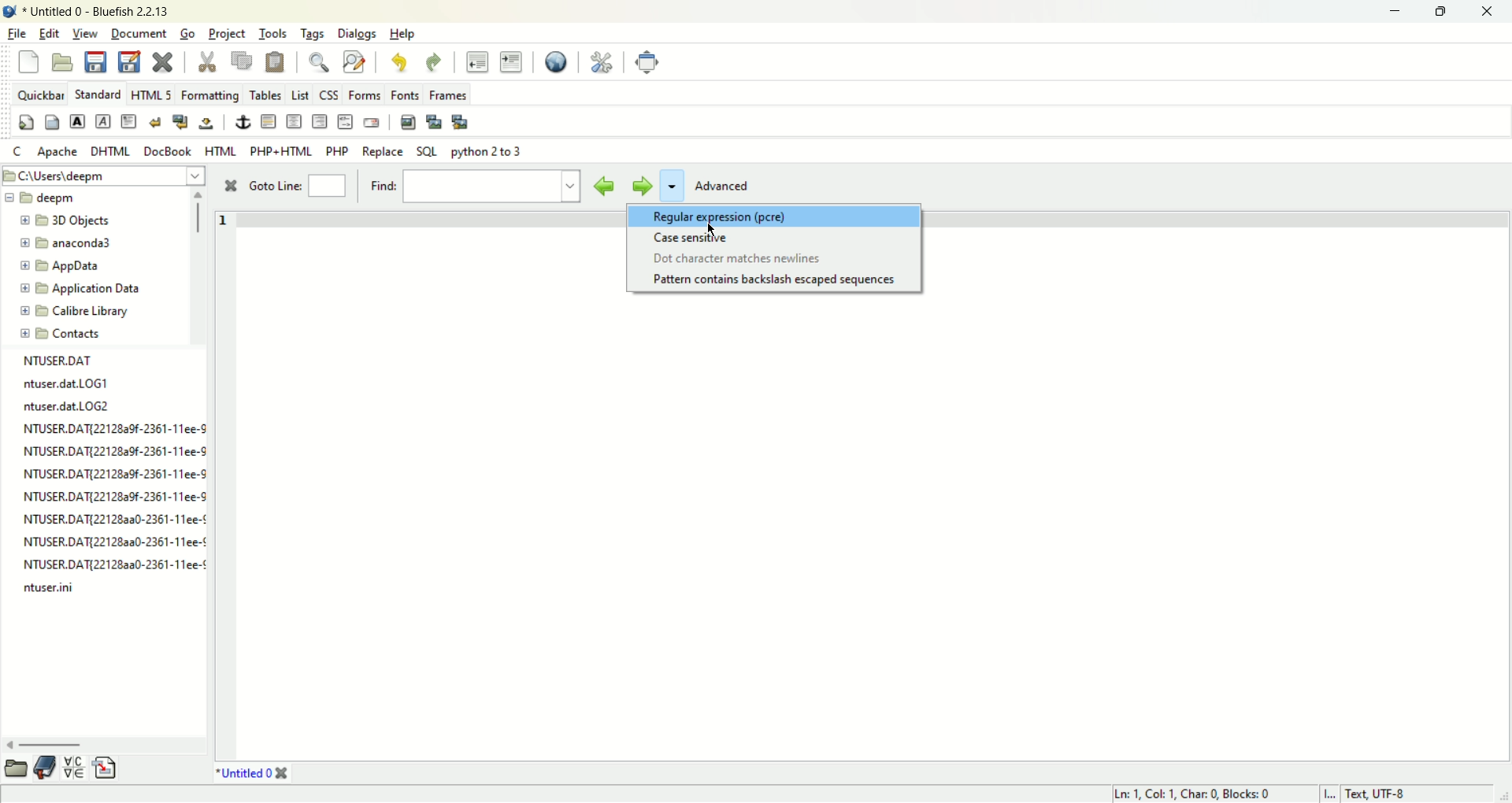  What do you see at coordinates (403, 34) in the screenshot?
I see `help` at bounding box center [403, 34].